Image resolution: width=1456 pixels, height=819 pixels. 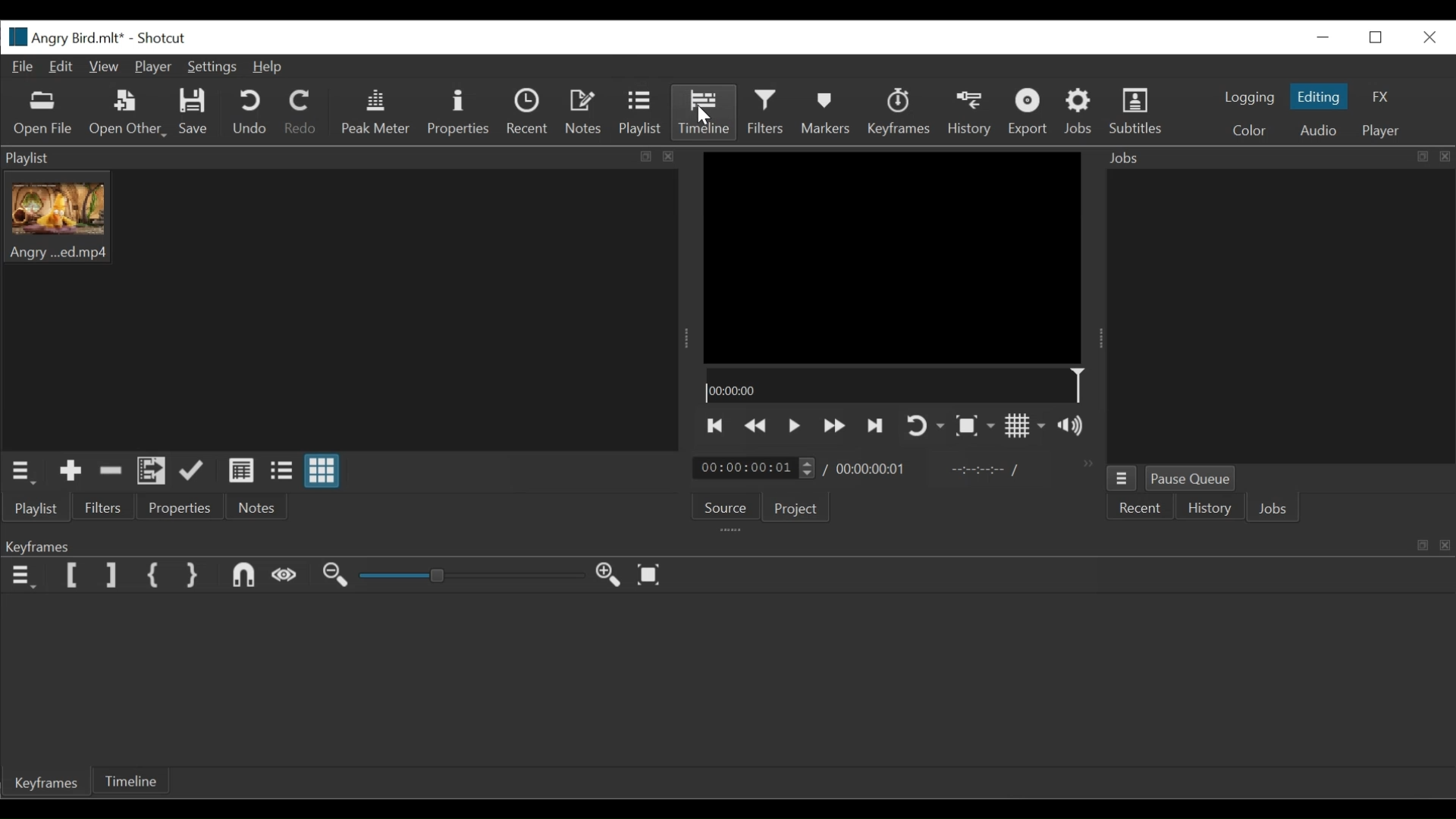 What do you see at coordinates (834, 426) in the screenshot?
I see `Play backward quickly` at bounding box center [834, 426].